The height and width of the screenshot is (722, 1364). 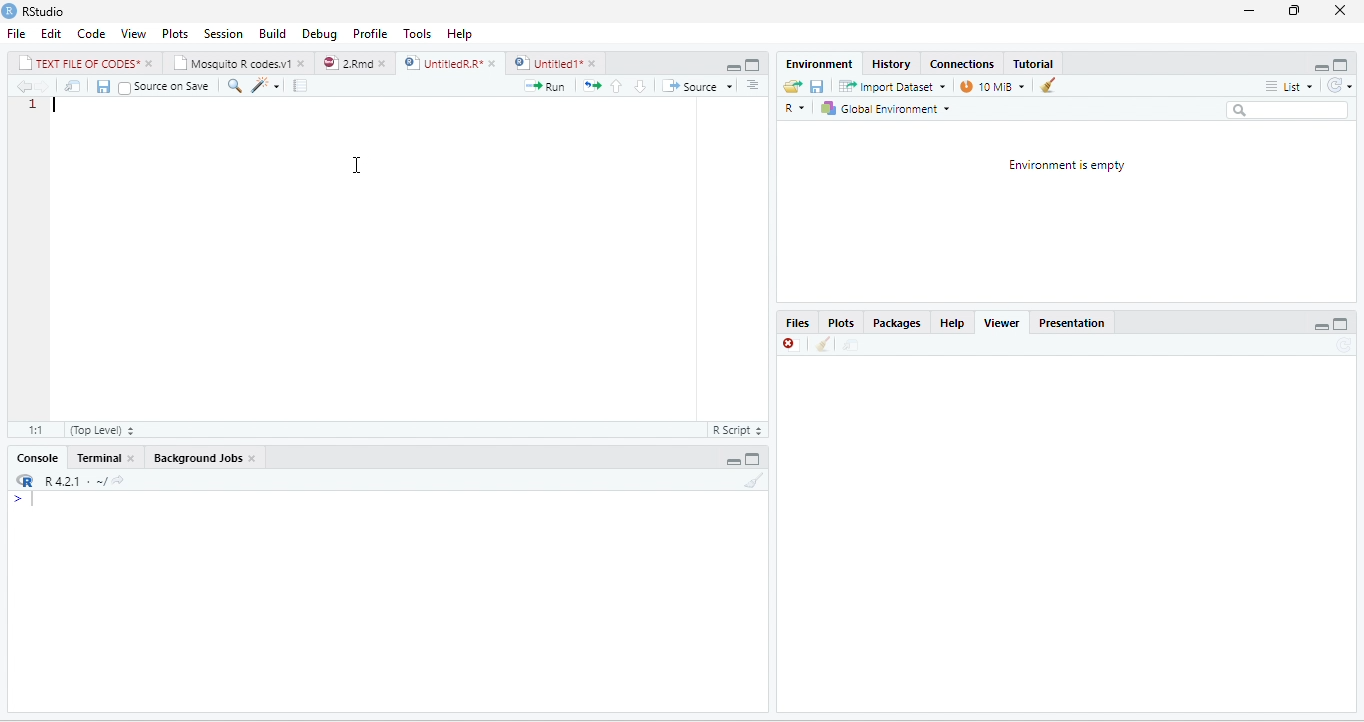 I want to click on source on save, so click(x=171, y=86).